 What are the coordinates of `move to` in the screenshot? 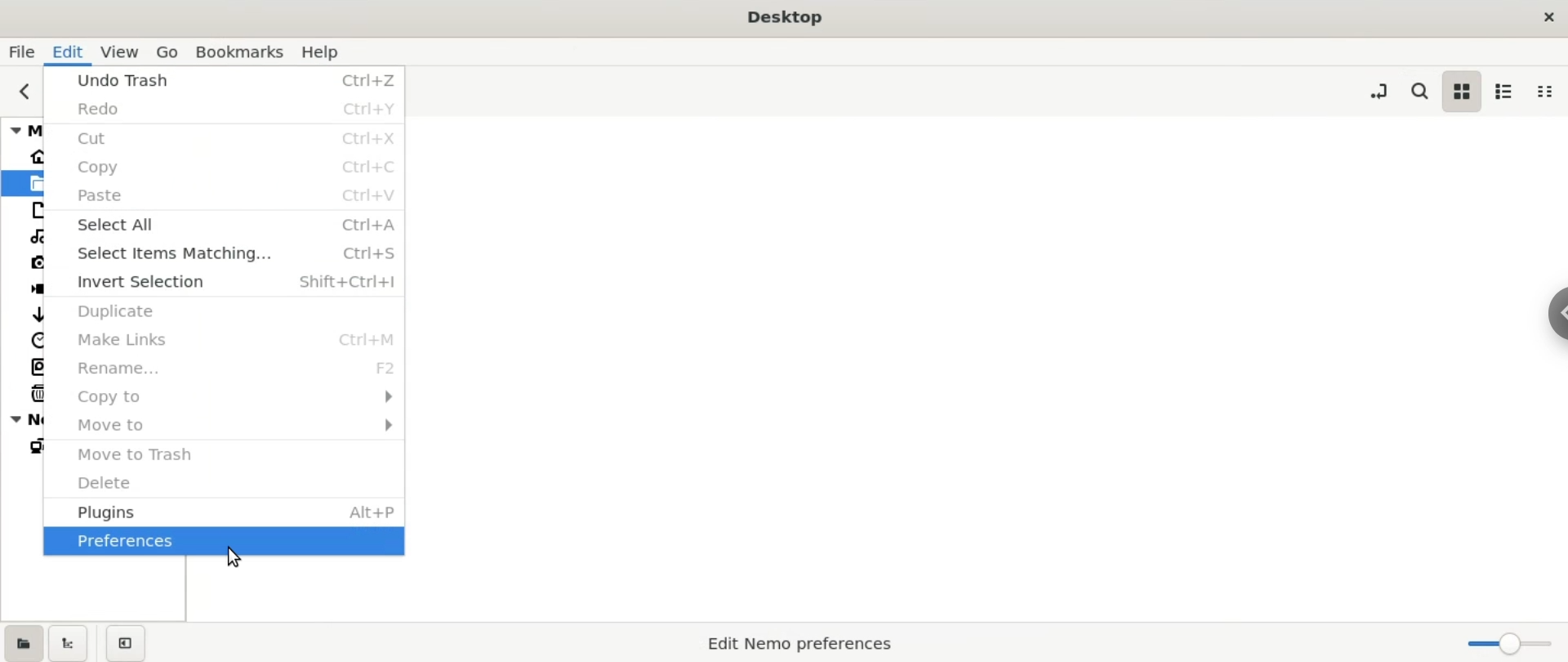 It's located at (222, 427).